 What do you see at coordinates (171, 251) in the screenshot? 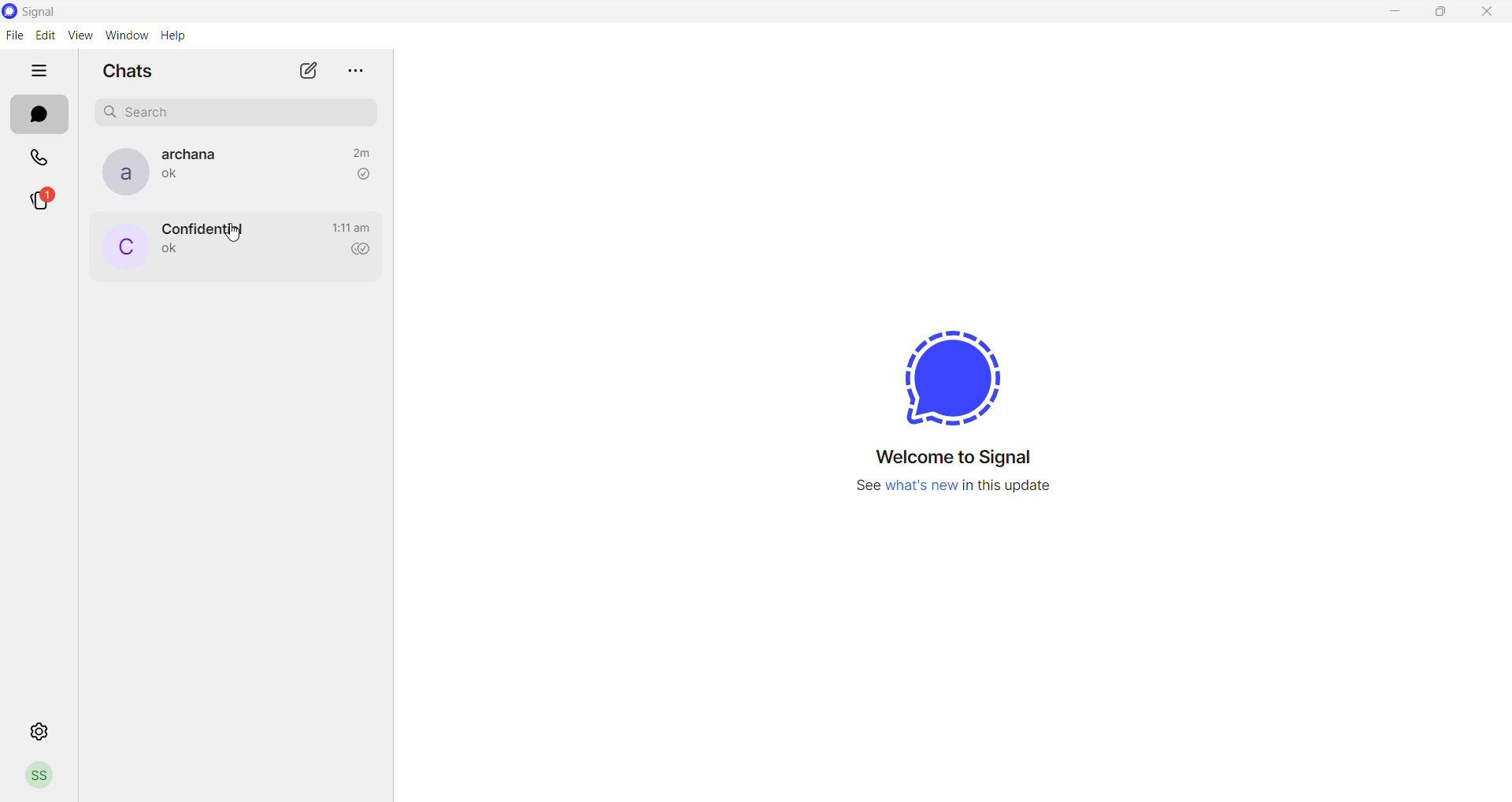
I see `last message` at bounding box center [171, 251].